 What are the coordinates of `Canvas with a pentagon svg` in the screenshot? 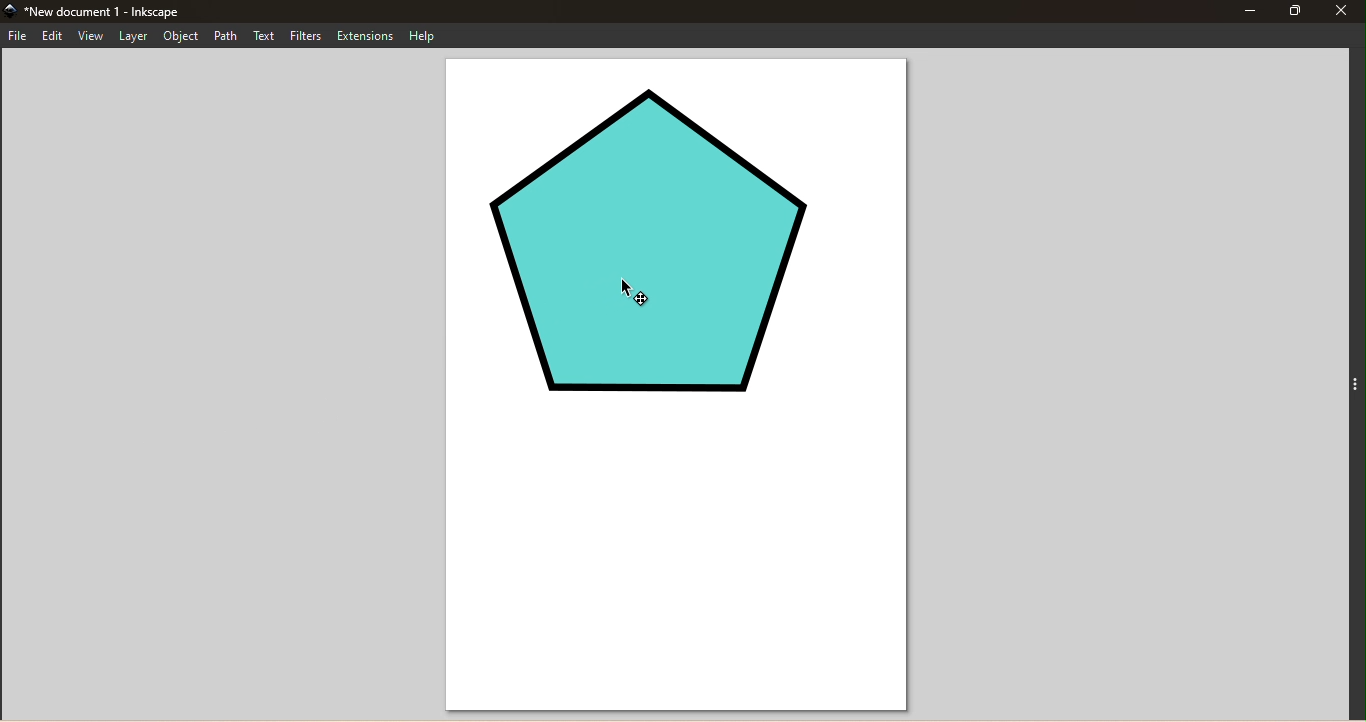 It's located at (672, 385).